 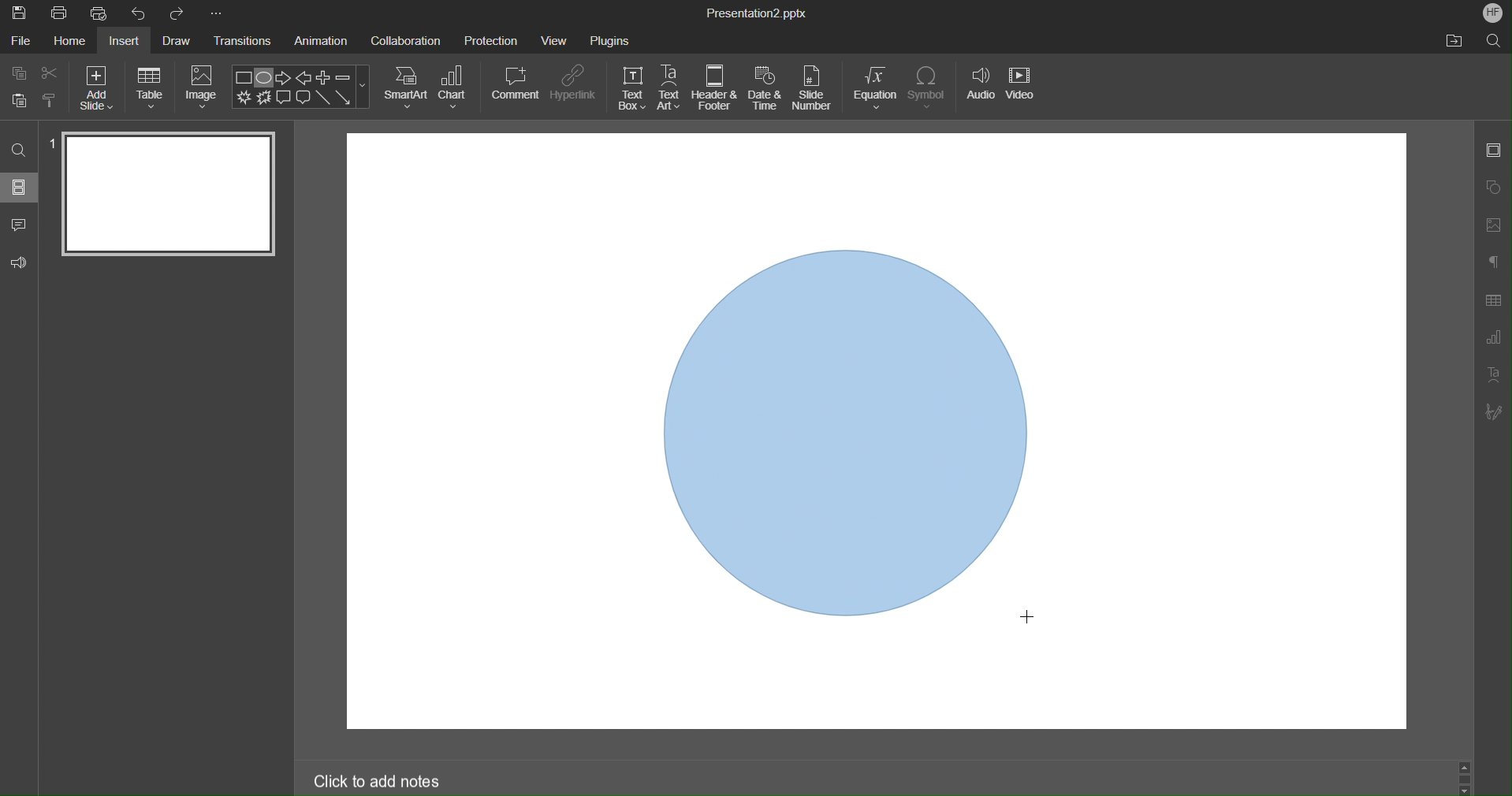 What do you see at coordinates (1494, 413) in the screenshot?
I see `Signature` at bounding box center [1494, 413].